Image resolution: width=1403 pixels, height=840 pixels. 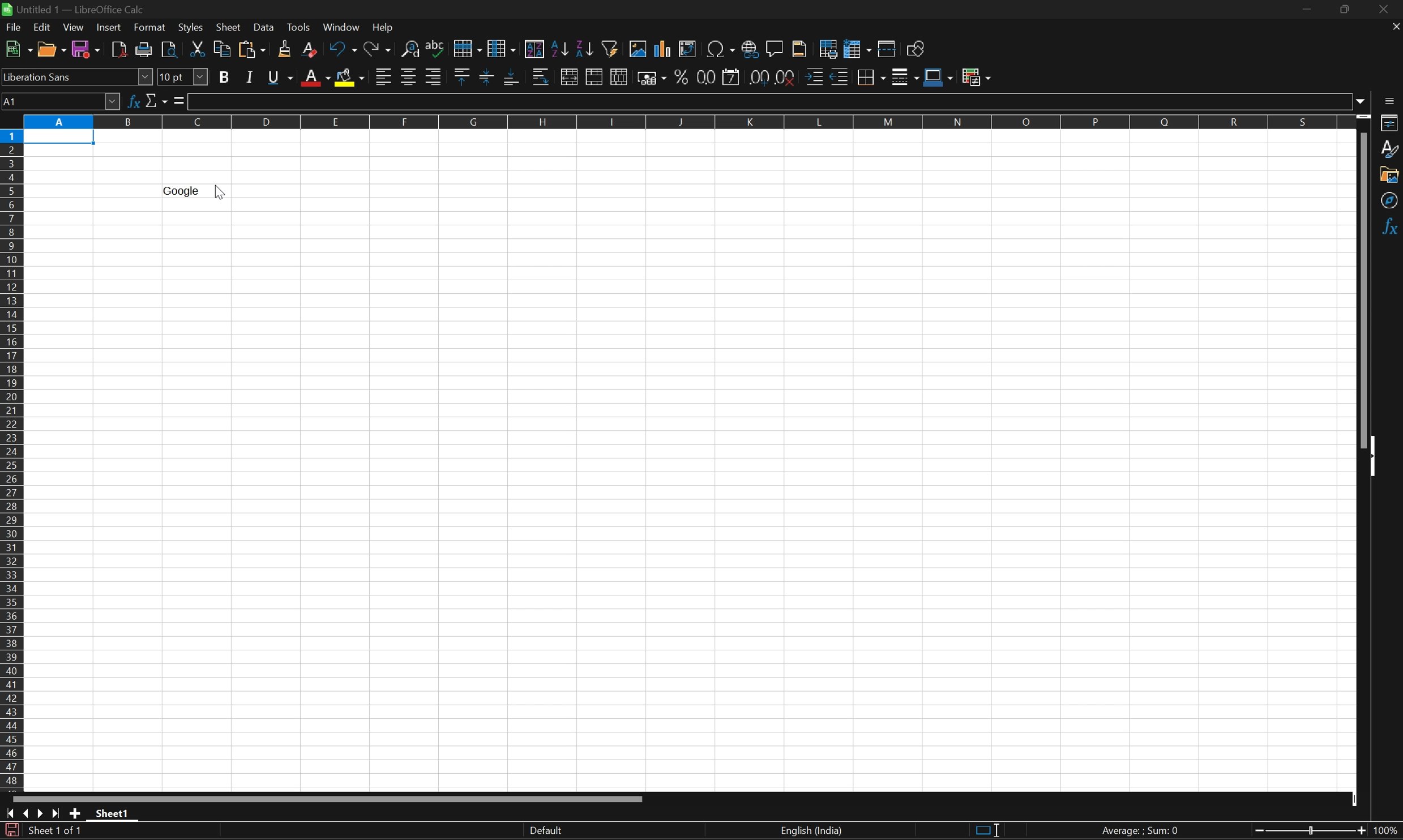 What do you see at coordinates (377, 49) in the screenshot?
I see `Redo` at bounding box center [377, 49].